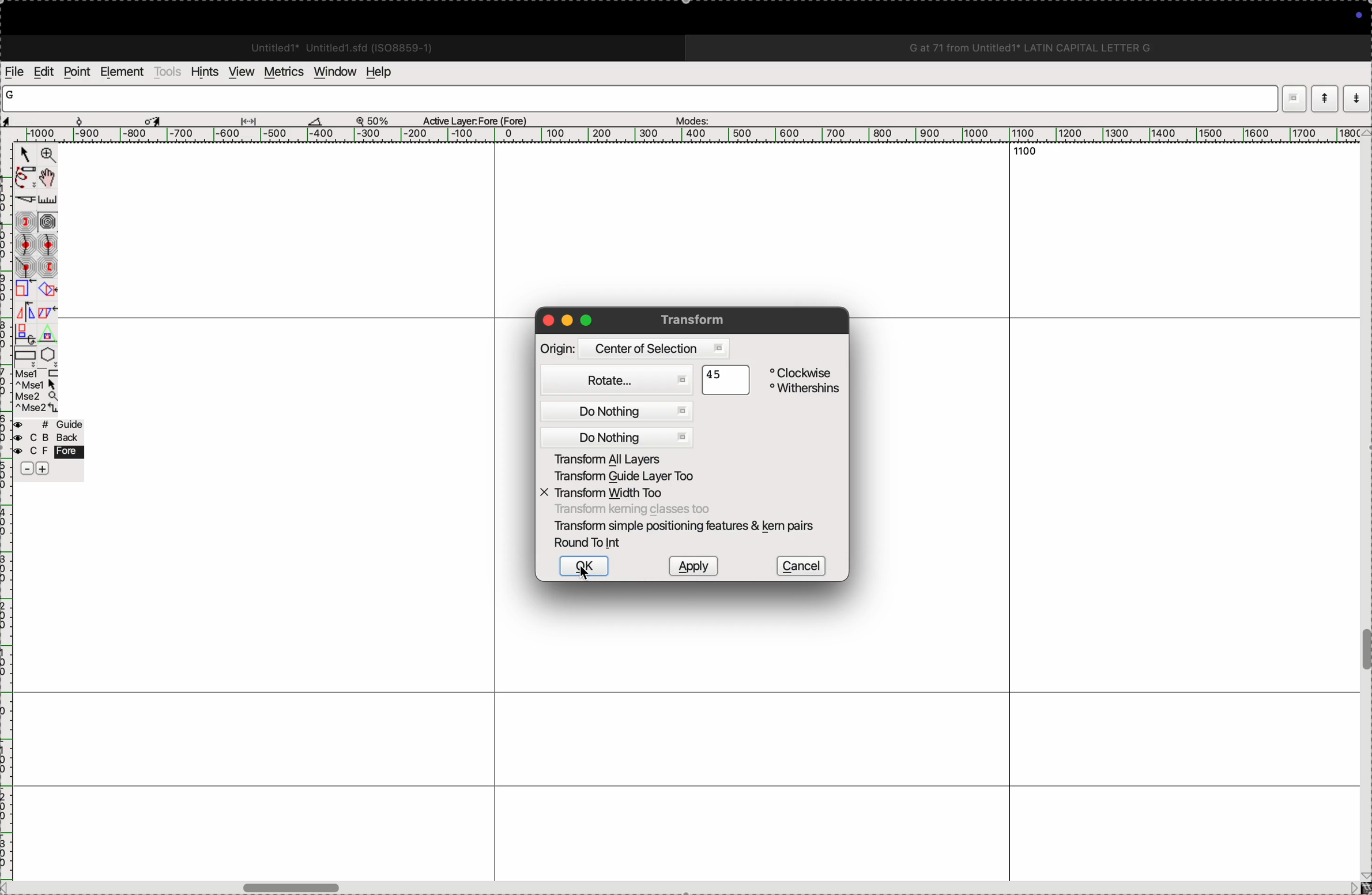 The image size is (1372, 895). What do you see at coordinates (805, 566) in the screenshot?
I see `cancel` at bounding box center [805, 566].